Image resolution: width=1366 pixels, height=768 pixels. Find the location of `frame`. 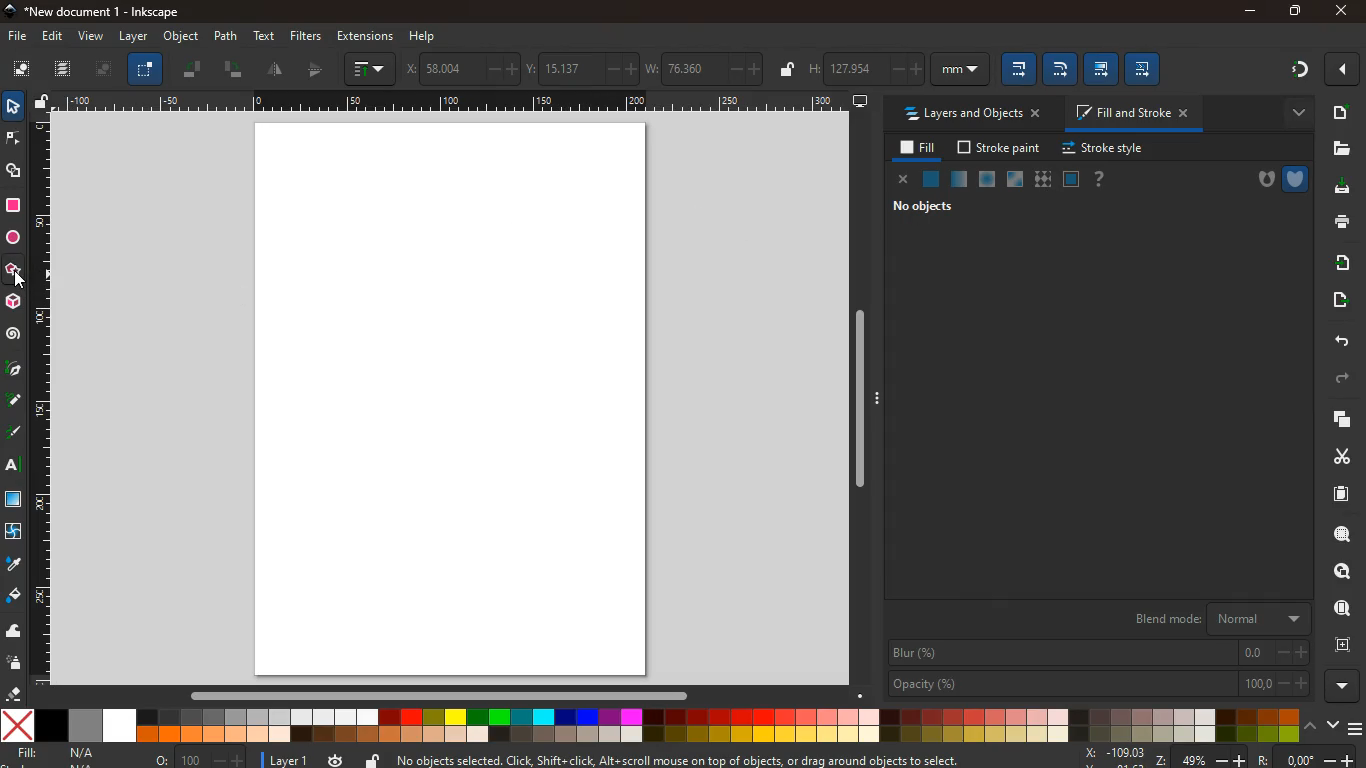

frame is located at coordinates (1070, 178).